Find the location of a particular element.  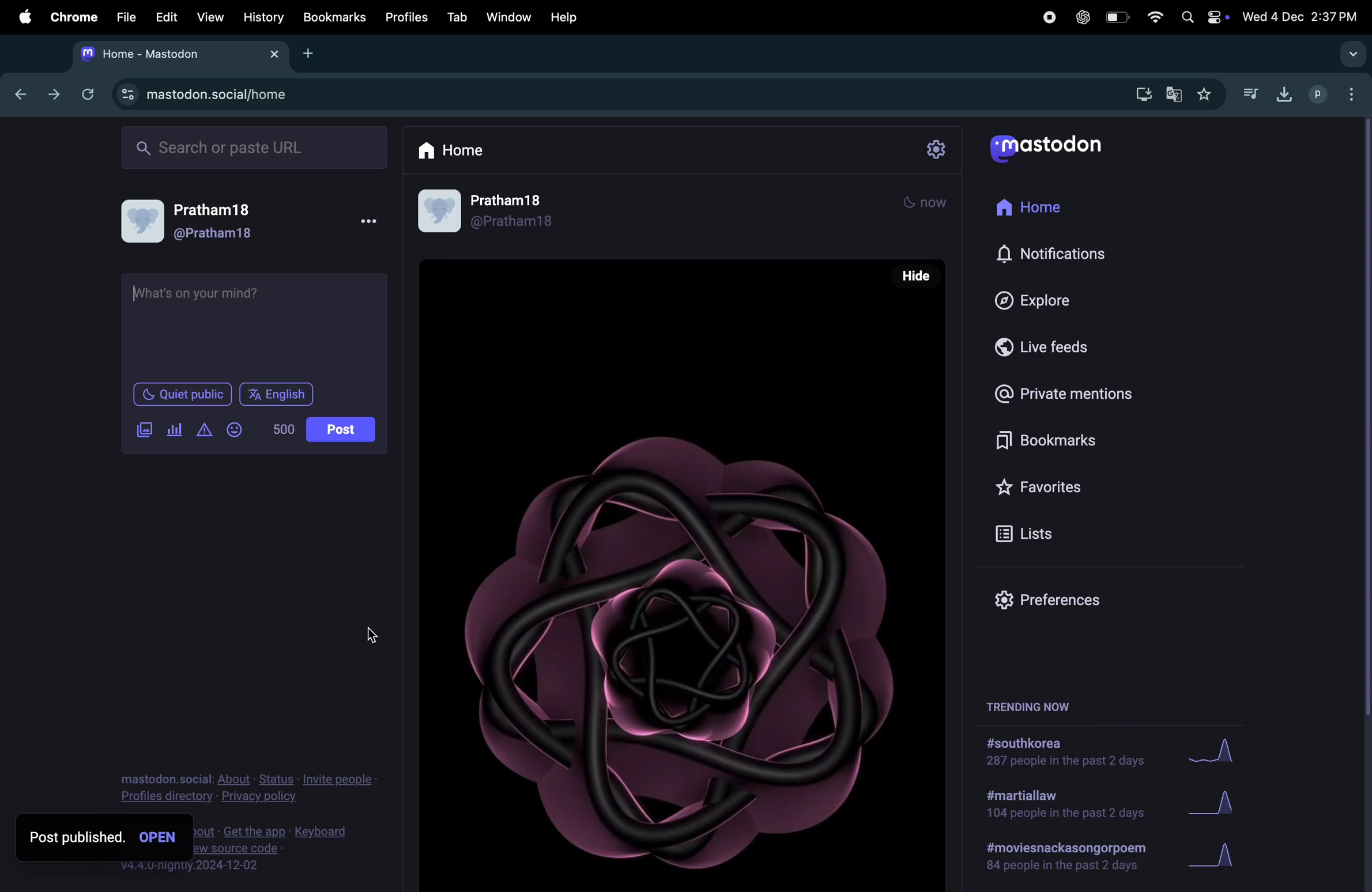

art work is located at coordinates (681, 574).